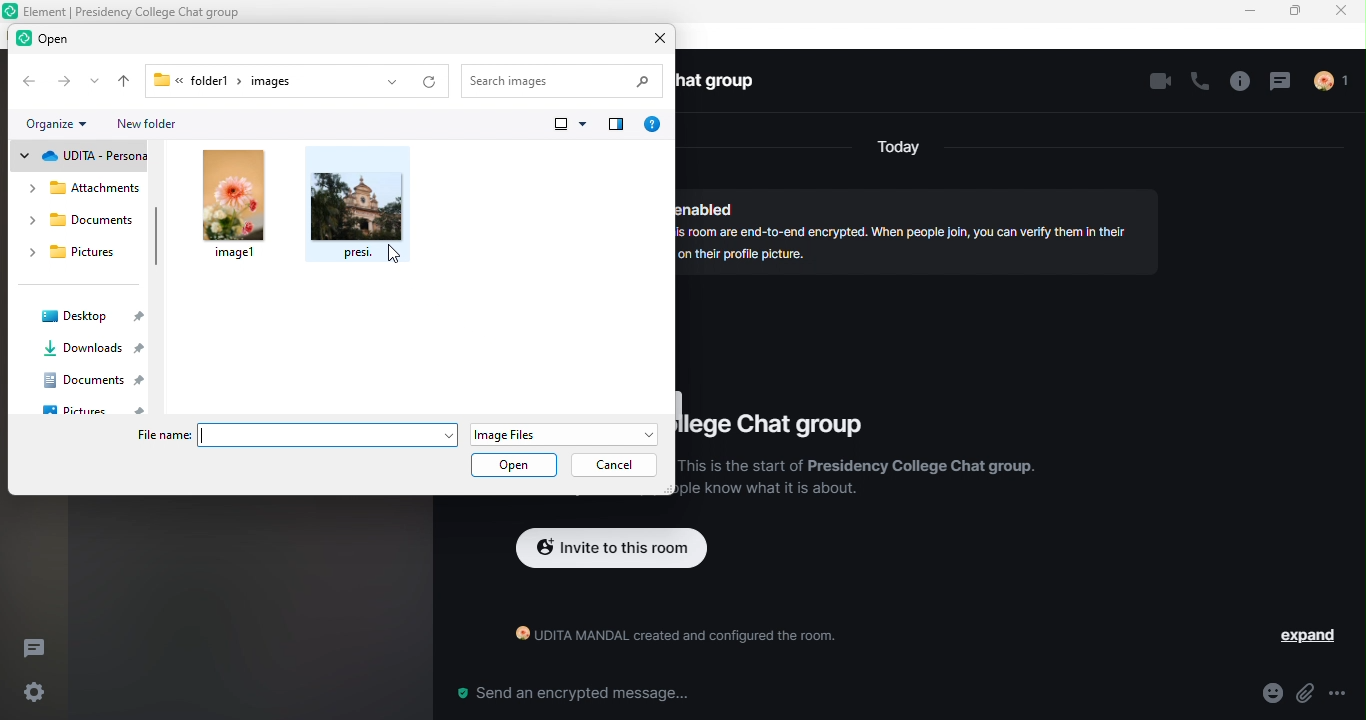 Image resolution: width=1366 pixels, height=720 pixels. Describe the element at coordinates (1314, 694) in the screenshot. I see `attachment` at that location.